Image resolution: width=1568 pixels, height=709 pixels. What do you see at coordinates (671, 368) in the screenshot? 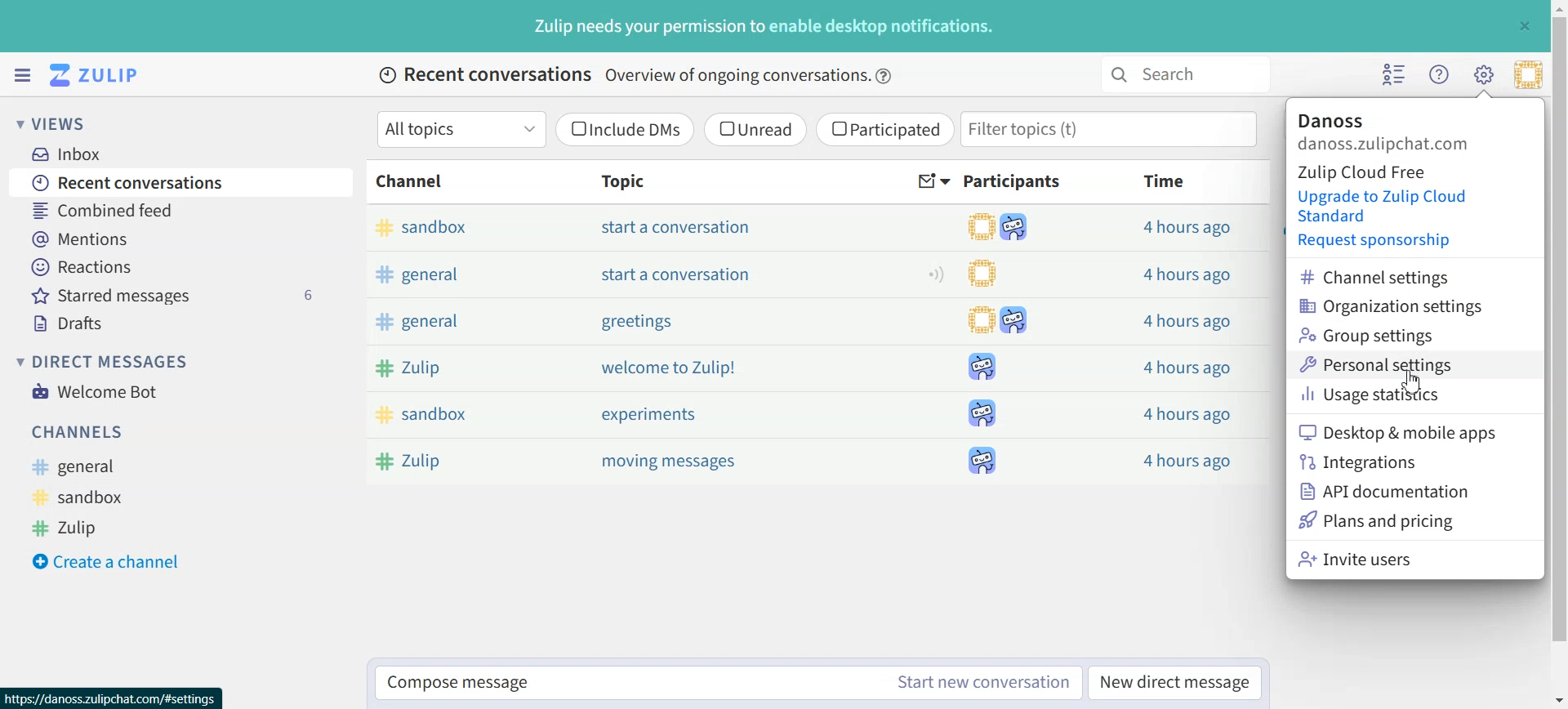
I see `Welcome to zulip` at bounding box center [671, 368].